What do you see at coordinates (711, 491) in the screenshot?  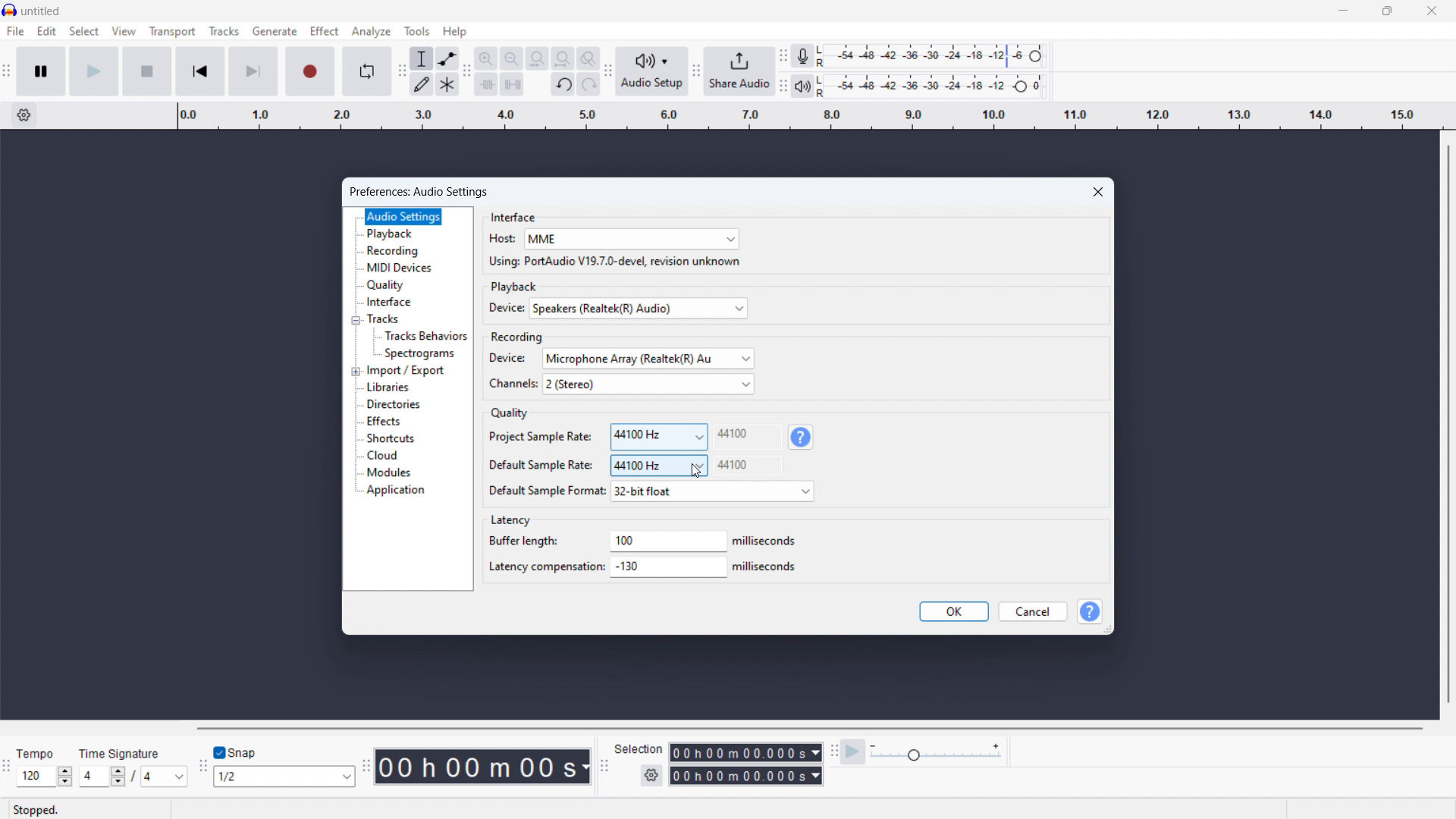 I see `default sample format` at bounding box center [711, 491].